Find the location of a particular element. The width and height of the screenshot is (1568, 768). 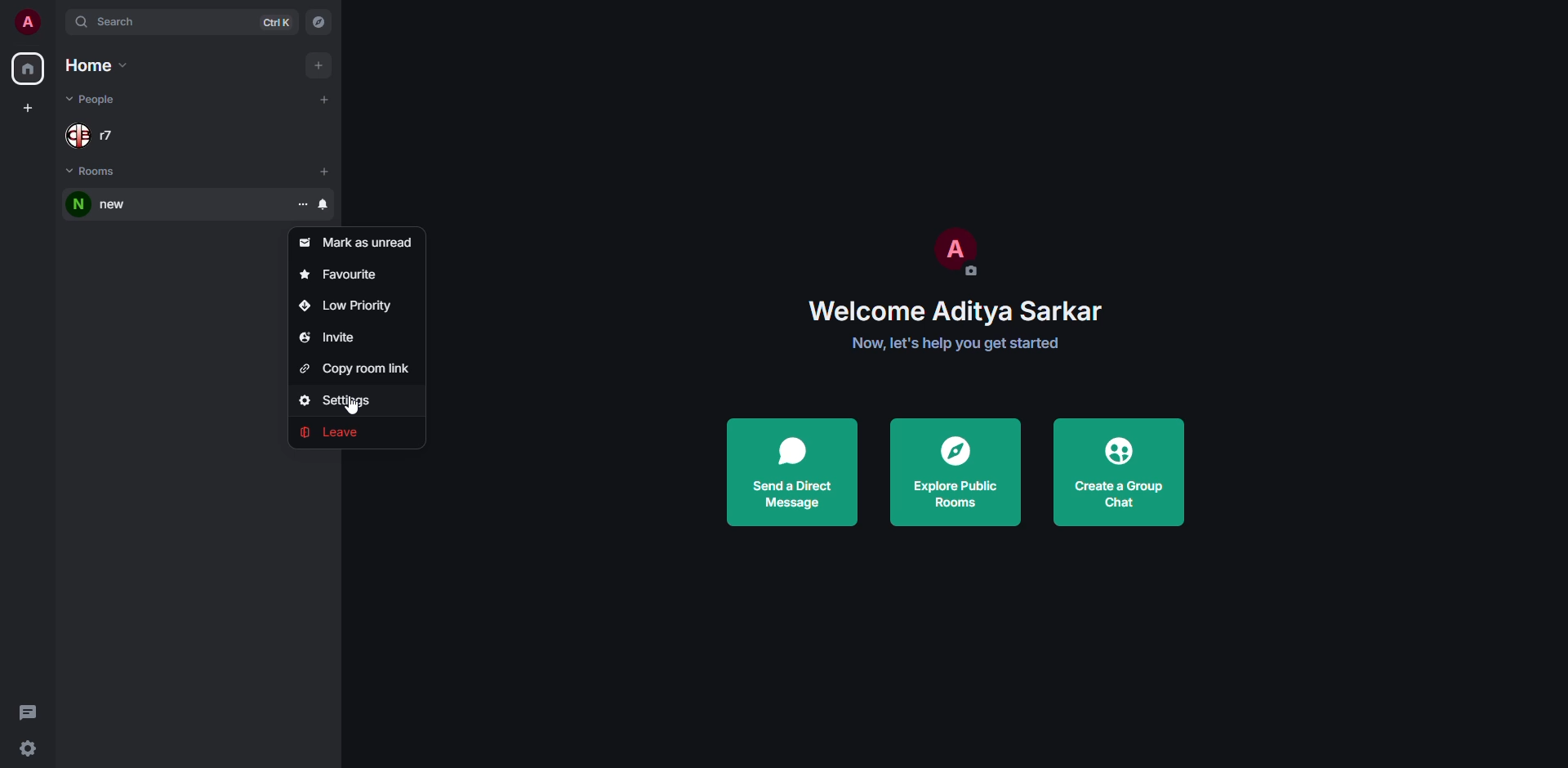

search is located at coordinates (115, 23).